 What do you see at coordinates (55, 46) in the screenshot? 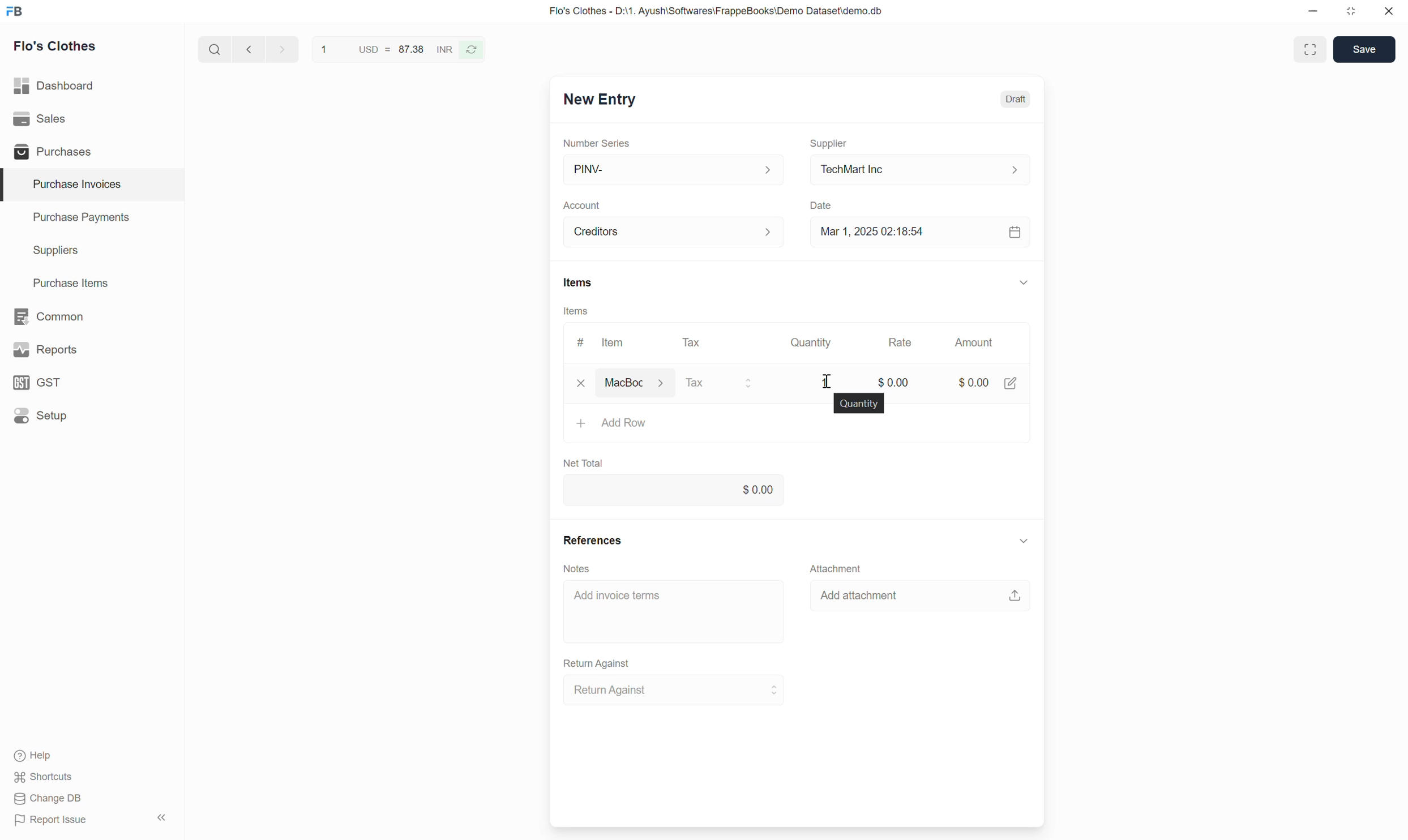
I see `Flo's Clothes` at bounding box center [55, 46].